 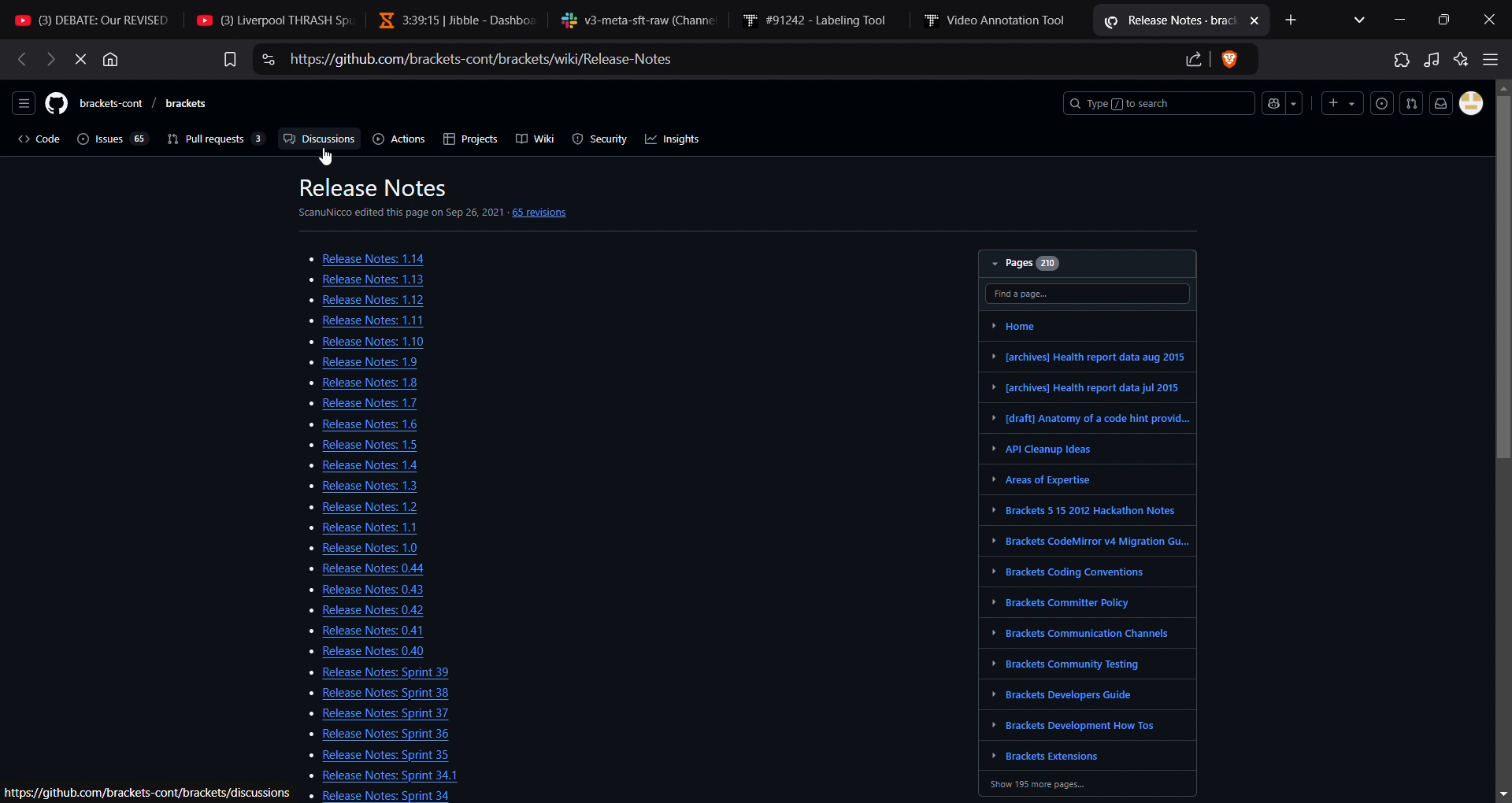 I want to click on o Release Notes: Sprint 39, so click(x=372, y=672).